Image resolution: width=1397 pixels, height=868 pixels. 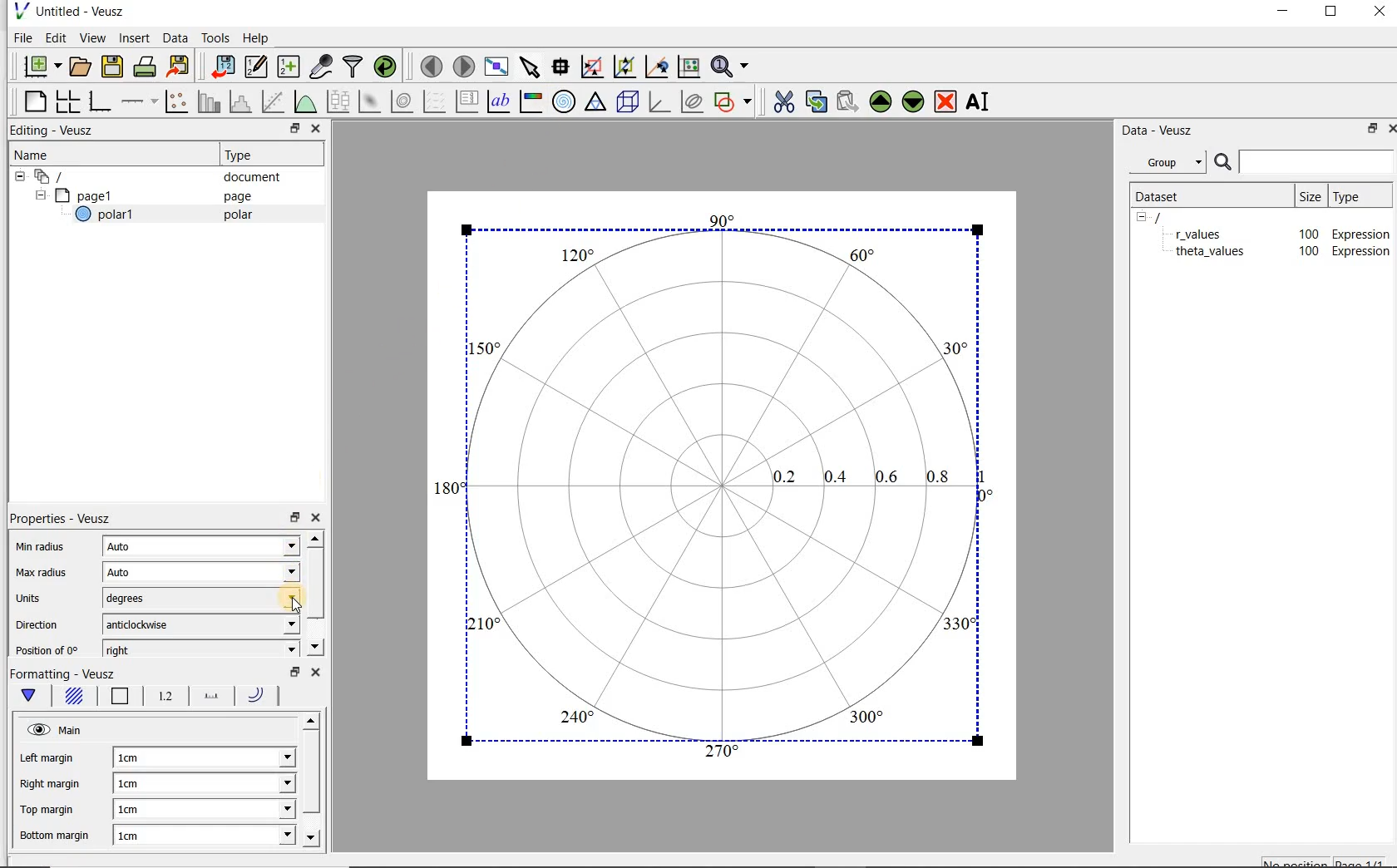 What do you see at coordinates (597, 102) in the screenshot?
I see `ternary graph` at bounding box center [597, 102].